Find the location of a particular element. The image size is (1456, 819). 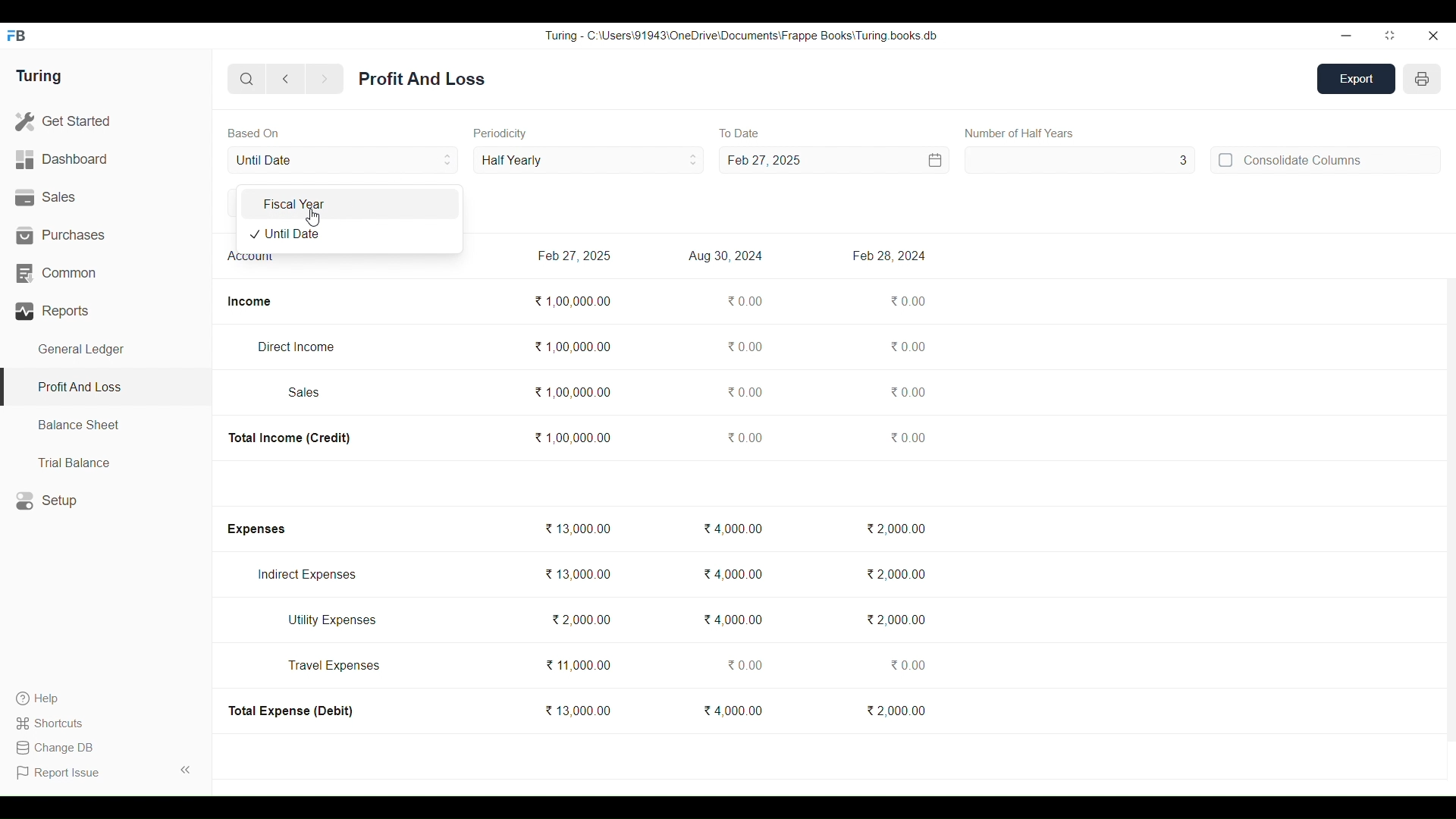

Open report print view is located at coordinates (1422, 79).